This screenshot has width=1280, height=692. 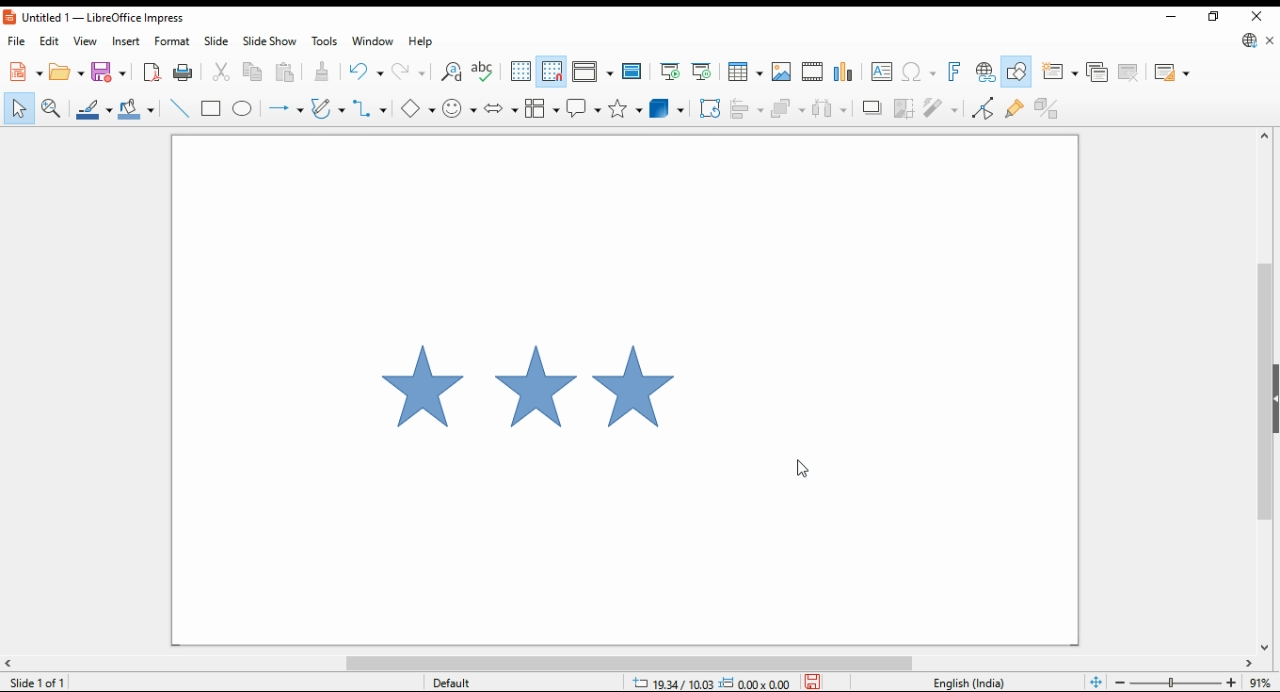 I want to click on rectangle, so click(x=211, y=108).